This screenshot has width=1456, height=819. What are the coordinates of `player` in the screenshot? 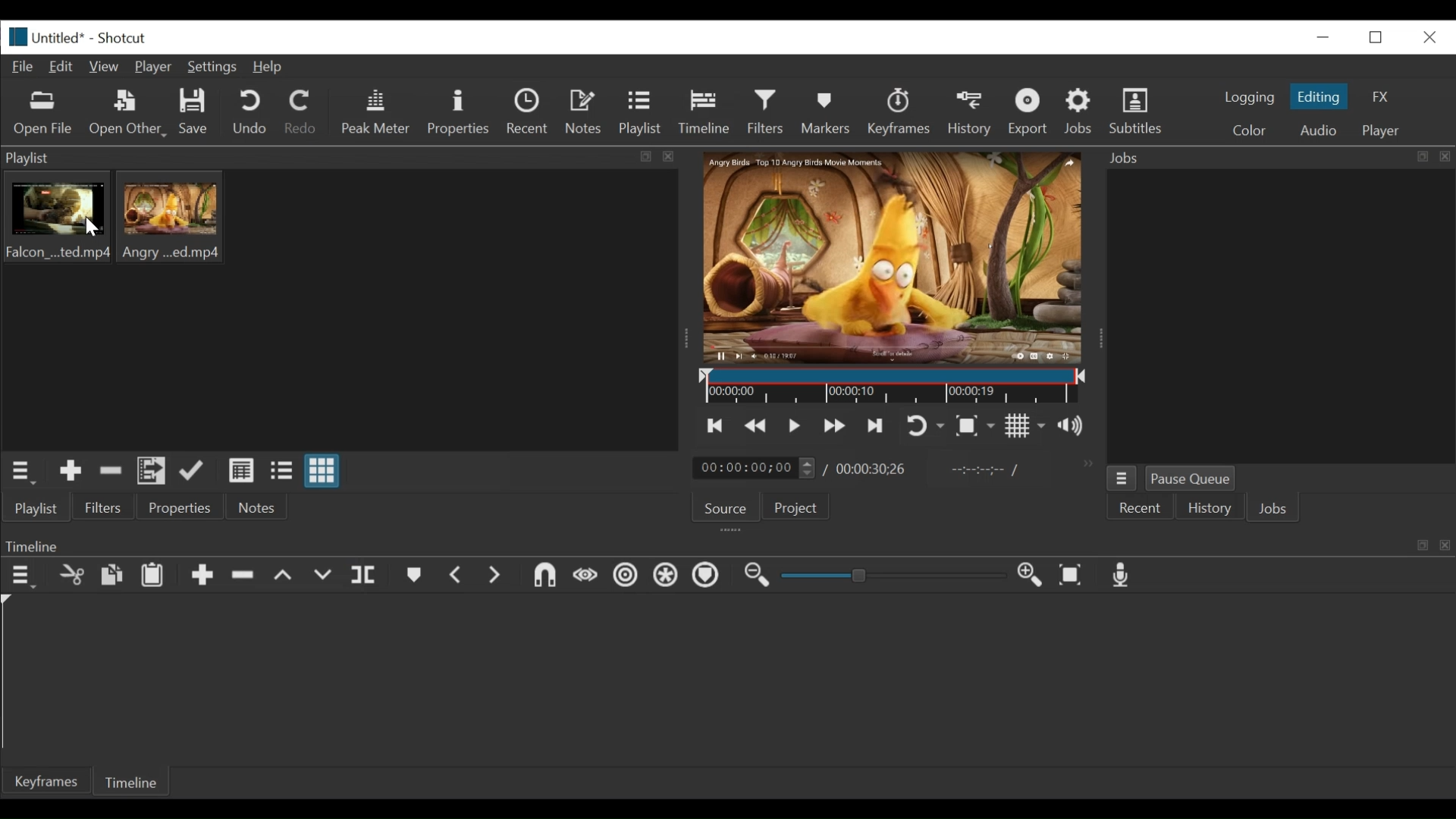 It's located at (1382, 131).